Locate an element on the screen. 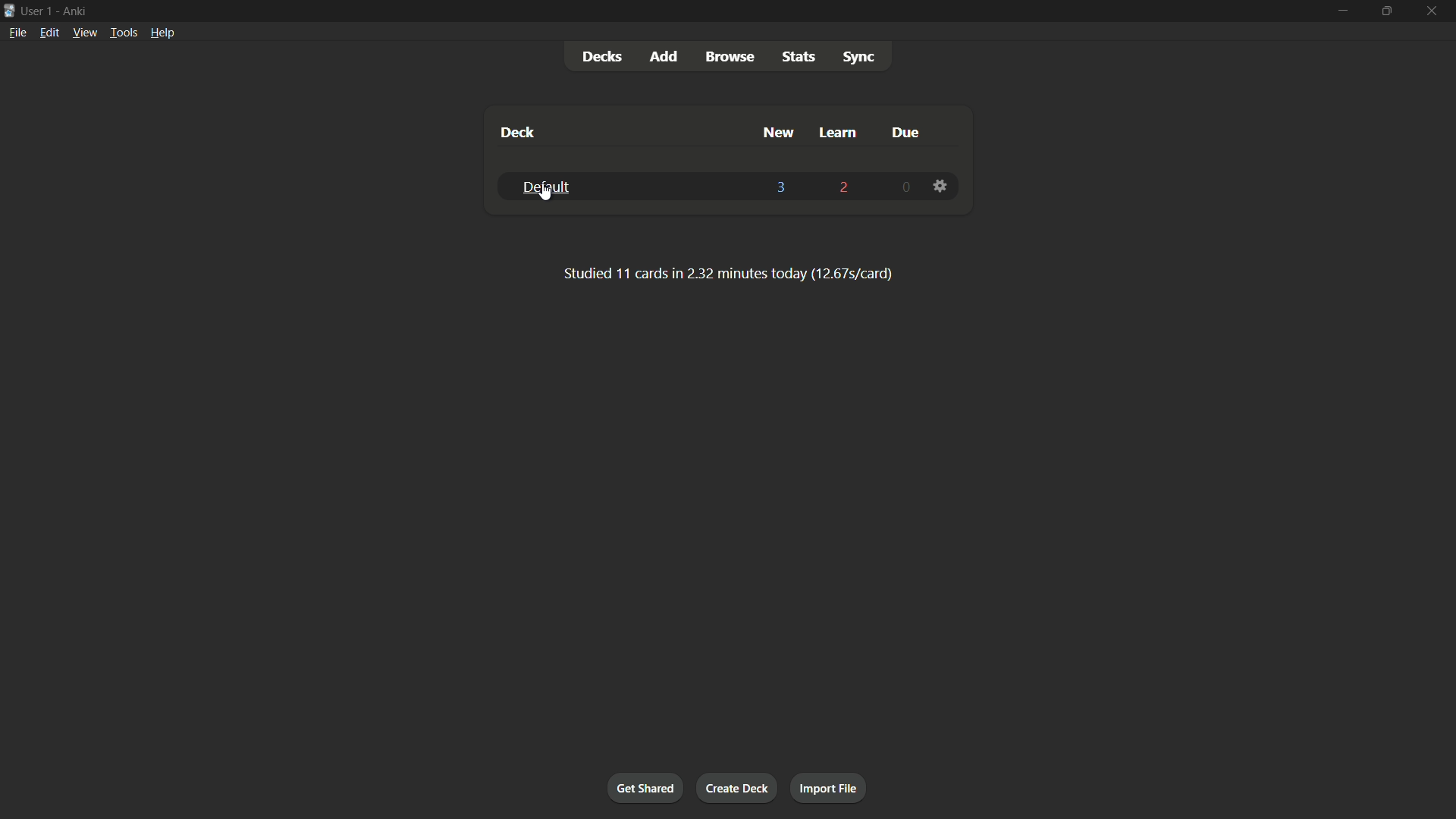  stats is located at coordinates (800, 55).